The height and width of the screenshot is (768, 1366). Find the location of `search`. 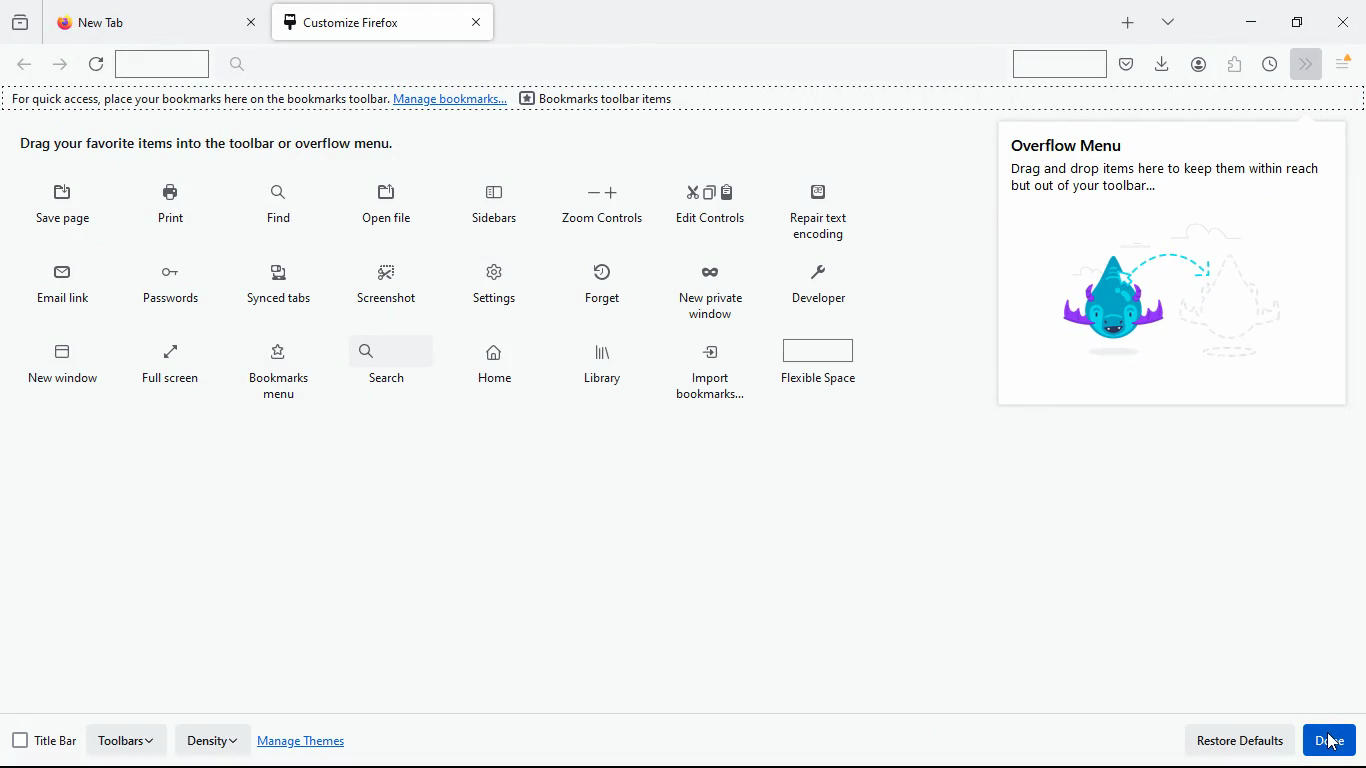

search is located at coordinates (1061, 64).